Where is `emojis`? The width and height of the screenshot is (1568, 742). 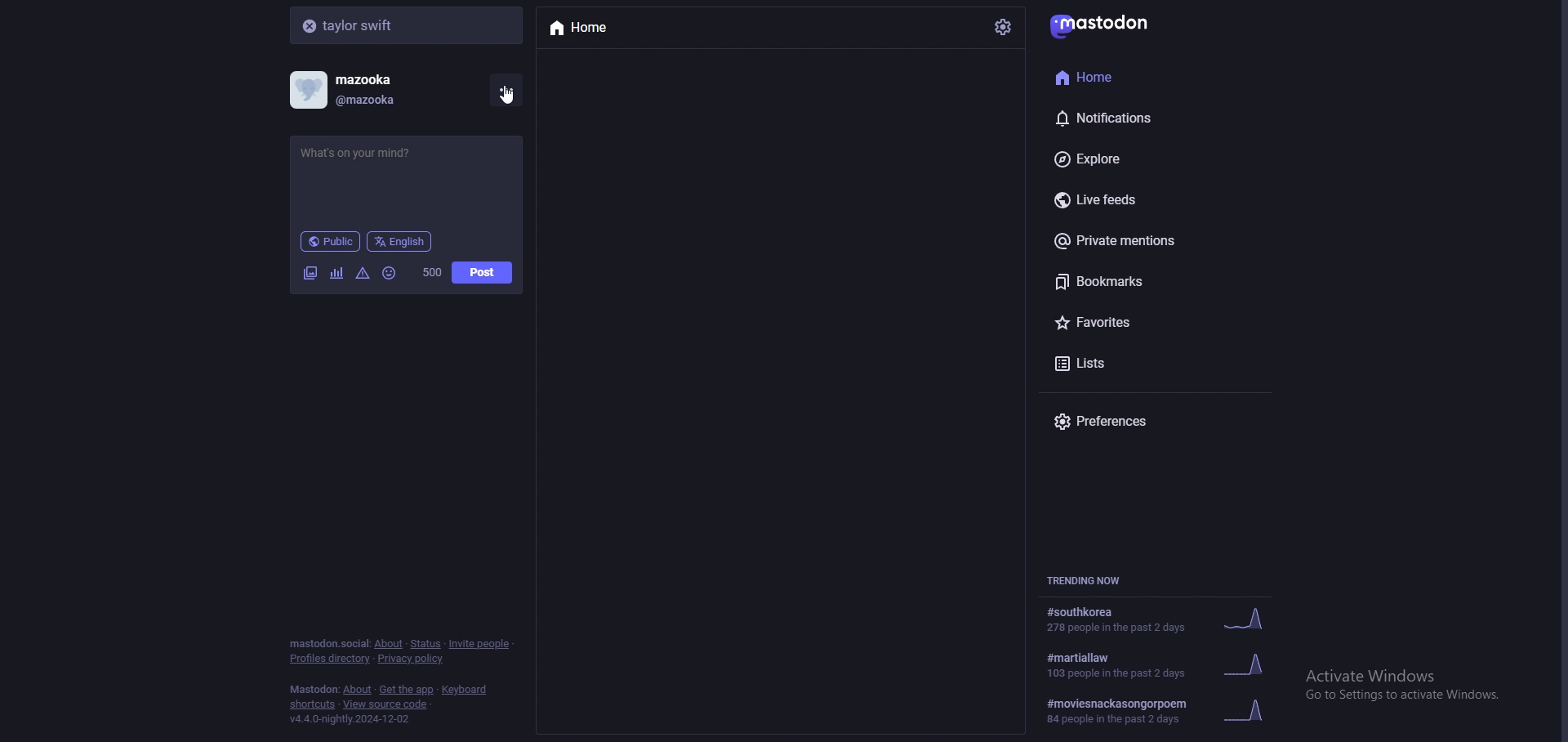
emojis is located at coordinates (390, 273).